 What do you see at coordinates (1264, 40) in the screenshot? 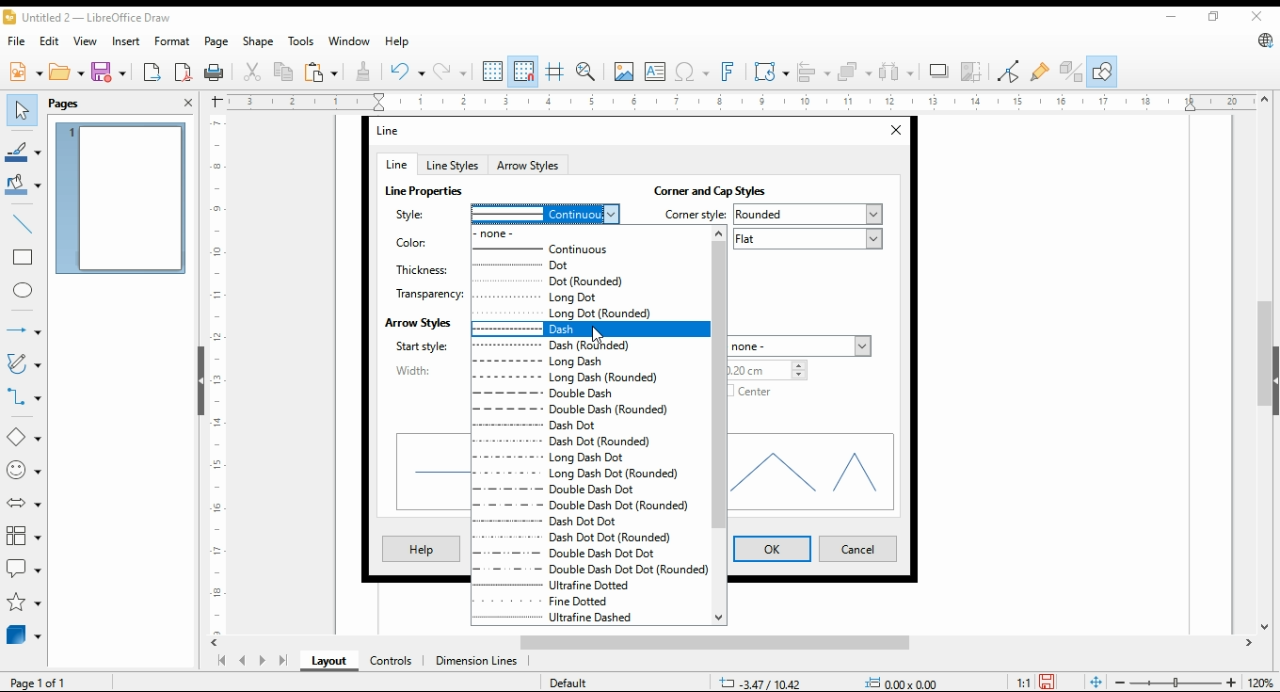
I see `libre office update` at bounding box center [1264, 40].